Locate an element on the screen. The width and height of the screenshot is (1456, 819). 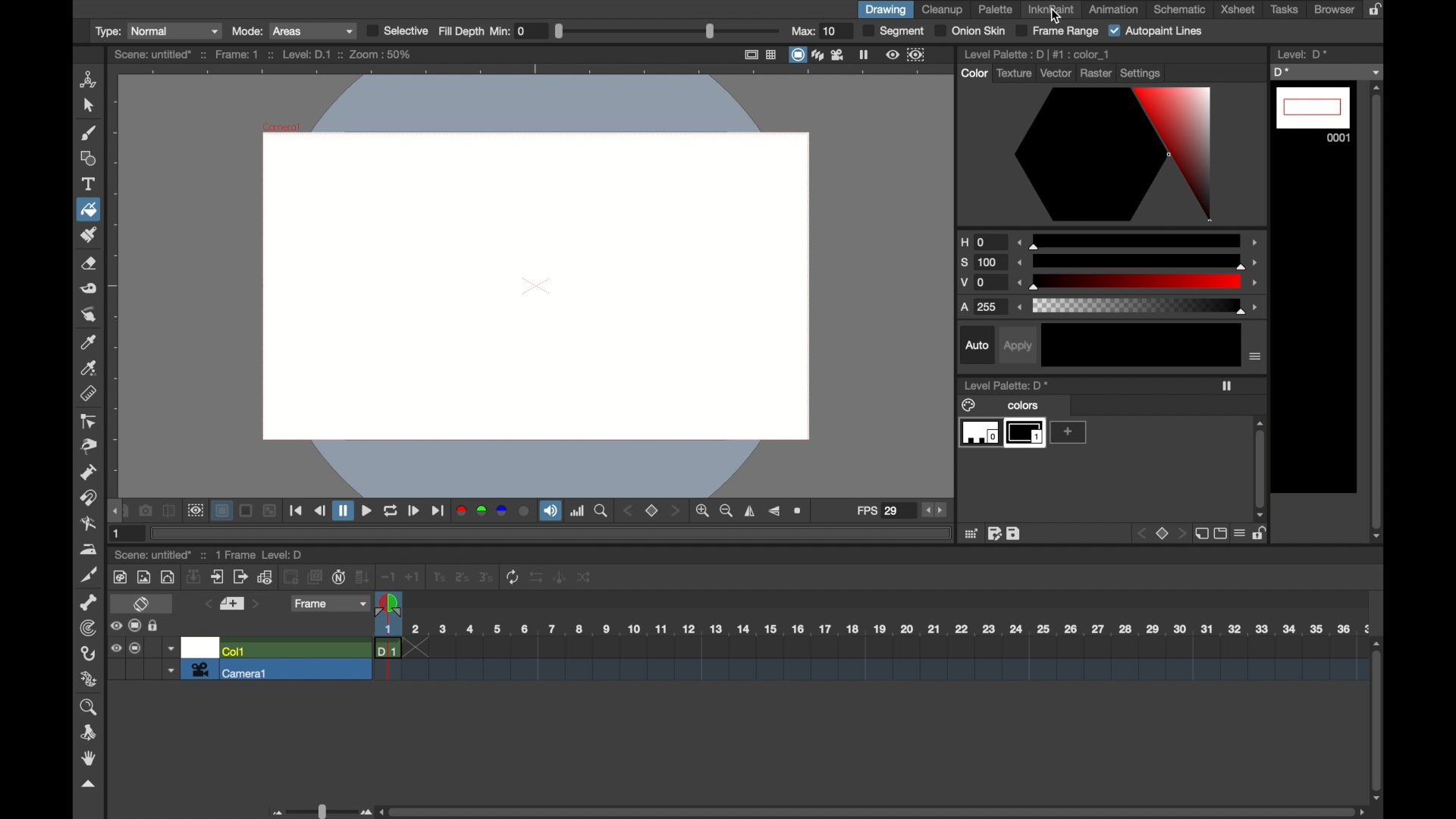
forward is located at coordinates (438, 511).